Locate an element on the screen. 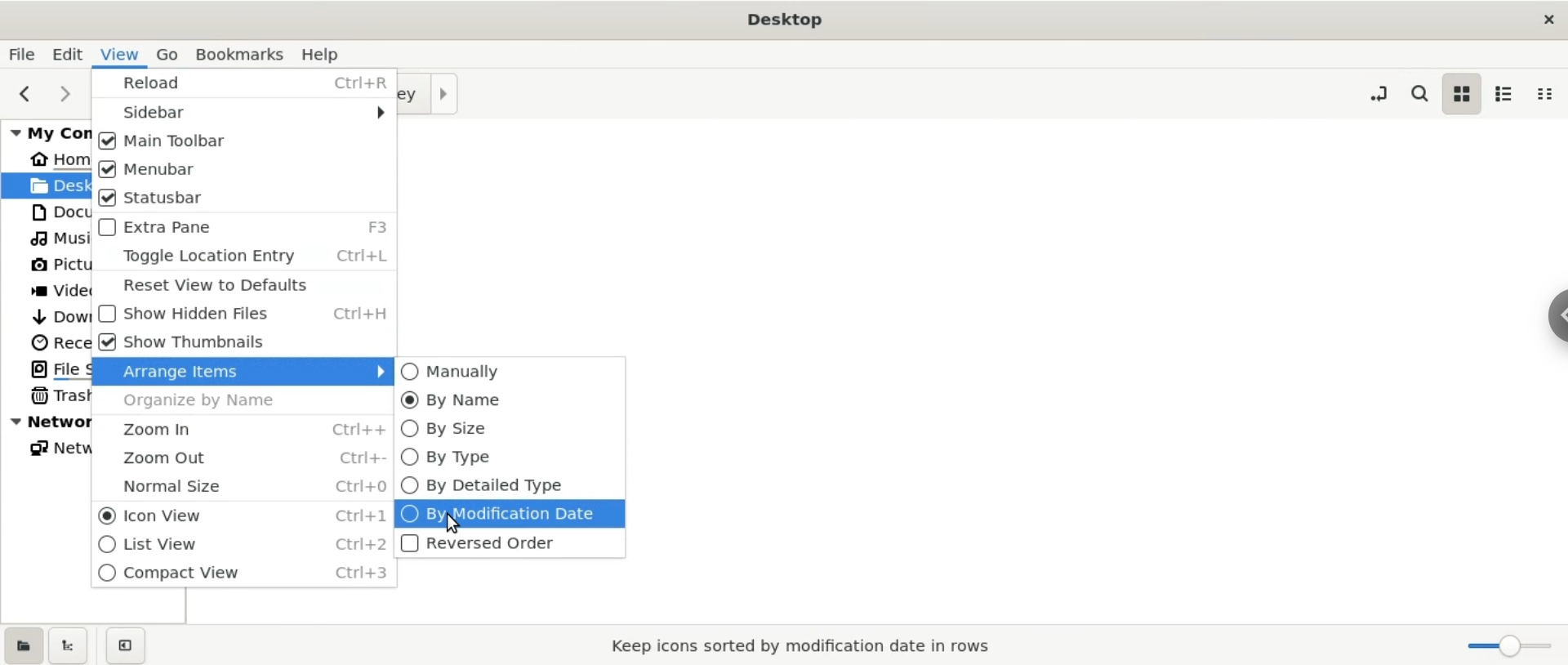 The height and width of the screenshot is (665, 1568). icon view is located at coordinates (1461, 96).